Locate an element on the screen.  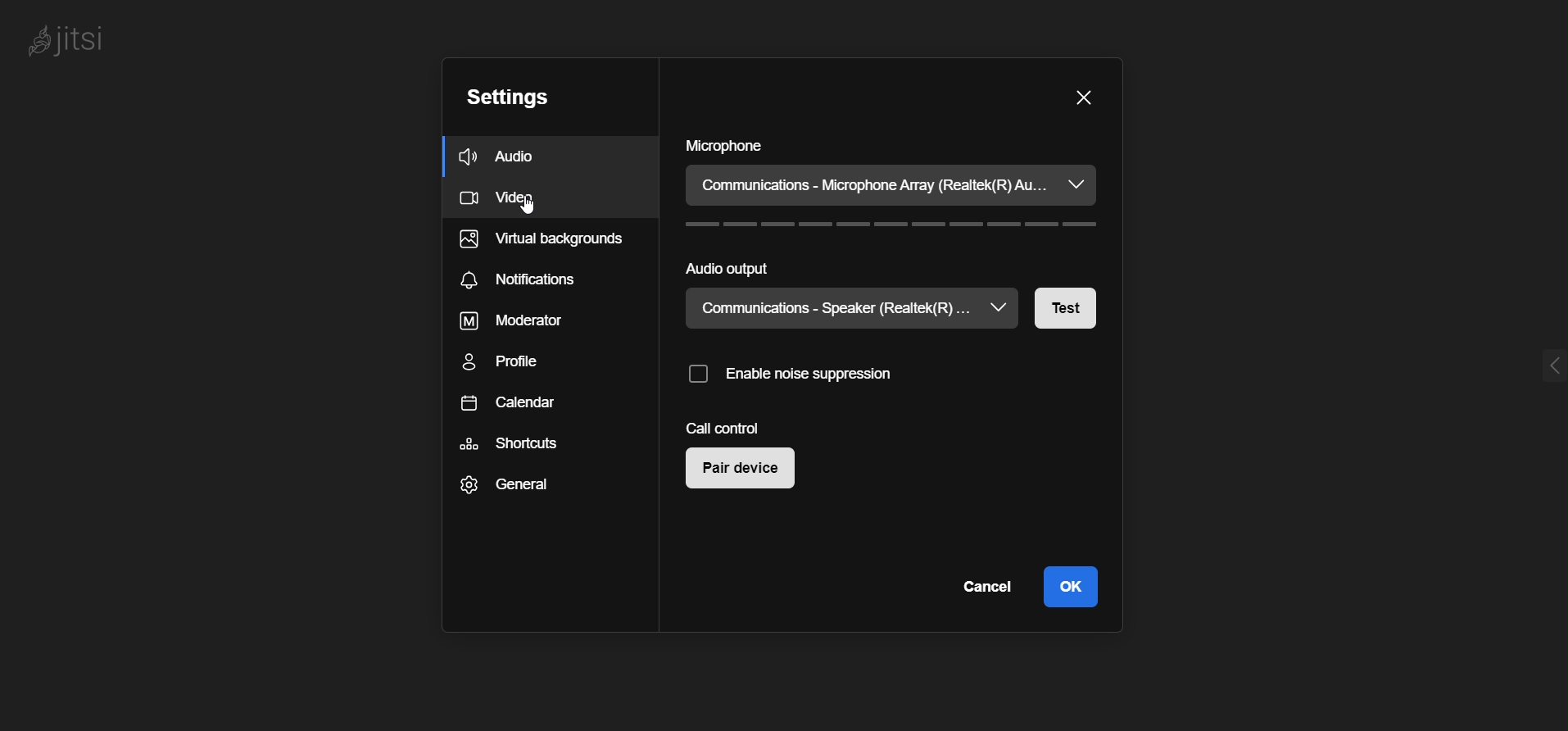
current speaker is located at coordinates (827, 307).